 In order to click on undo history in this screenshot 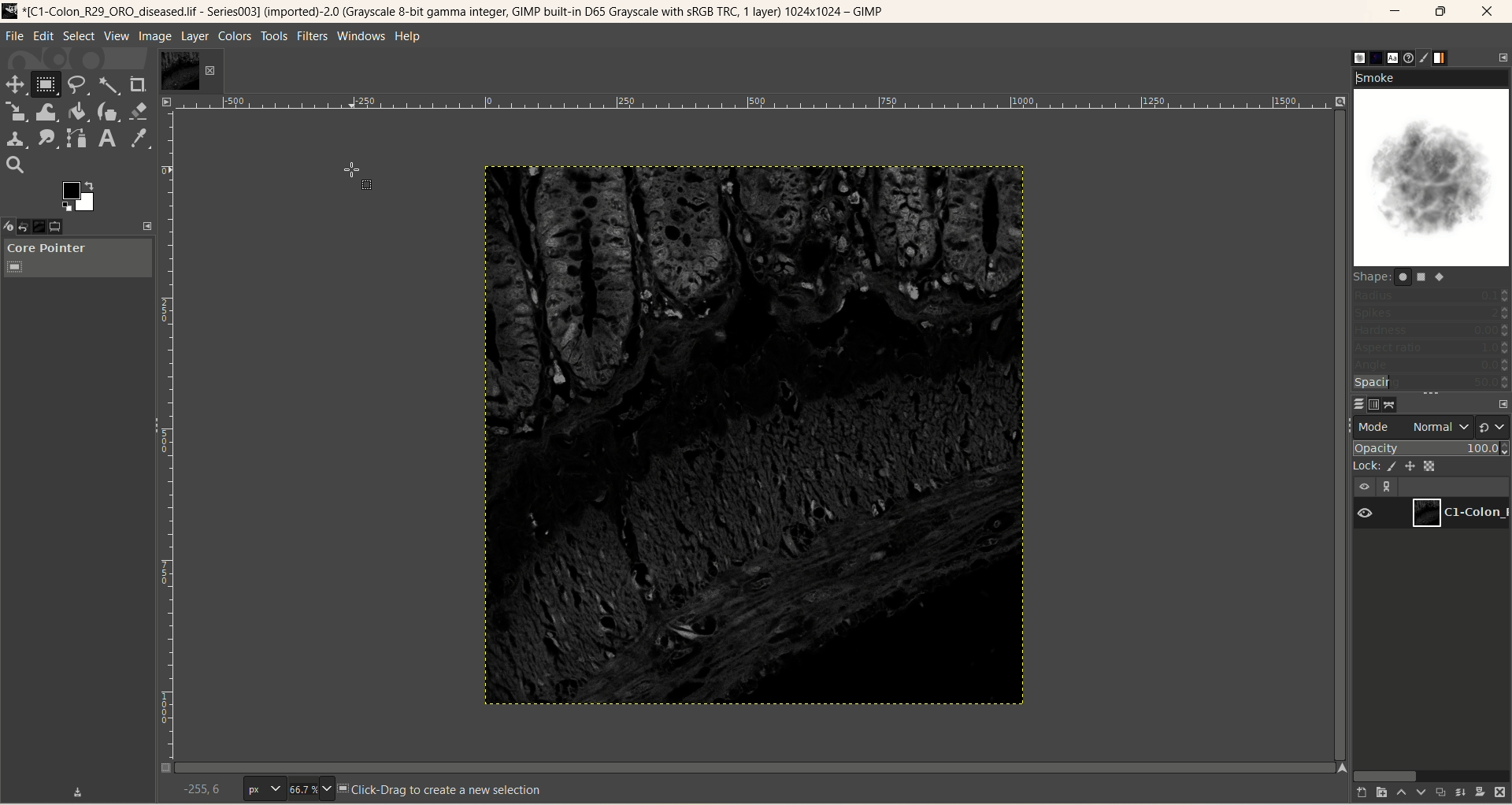, I will do `click(24, 227)`.